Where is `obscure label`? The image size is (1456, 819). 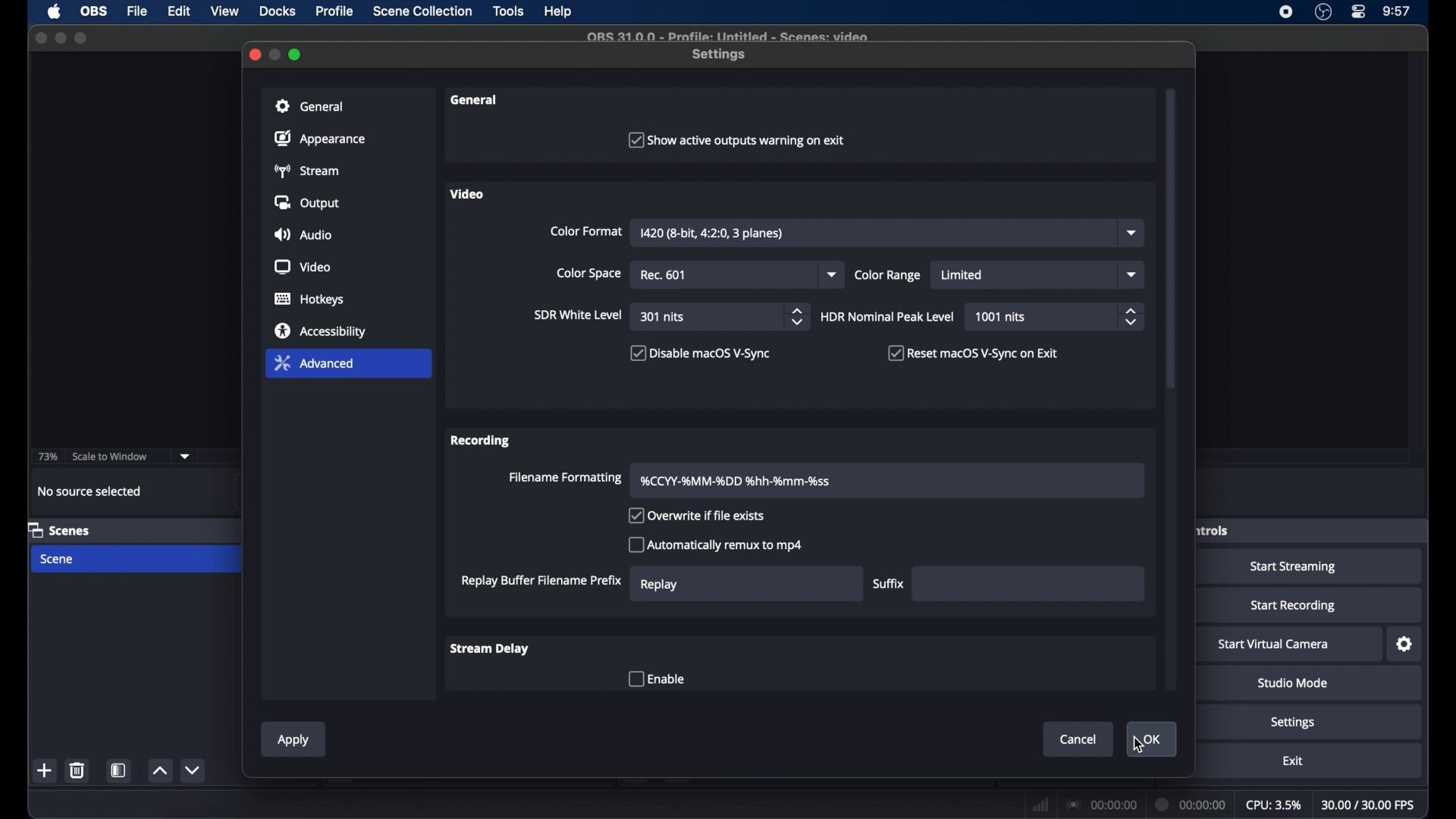
obscure label is located at coordinates (1214, 530).